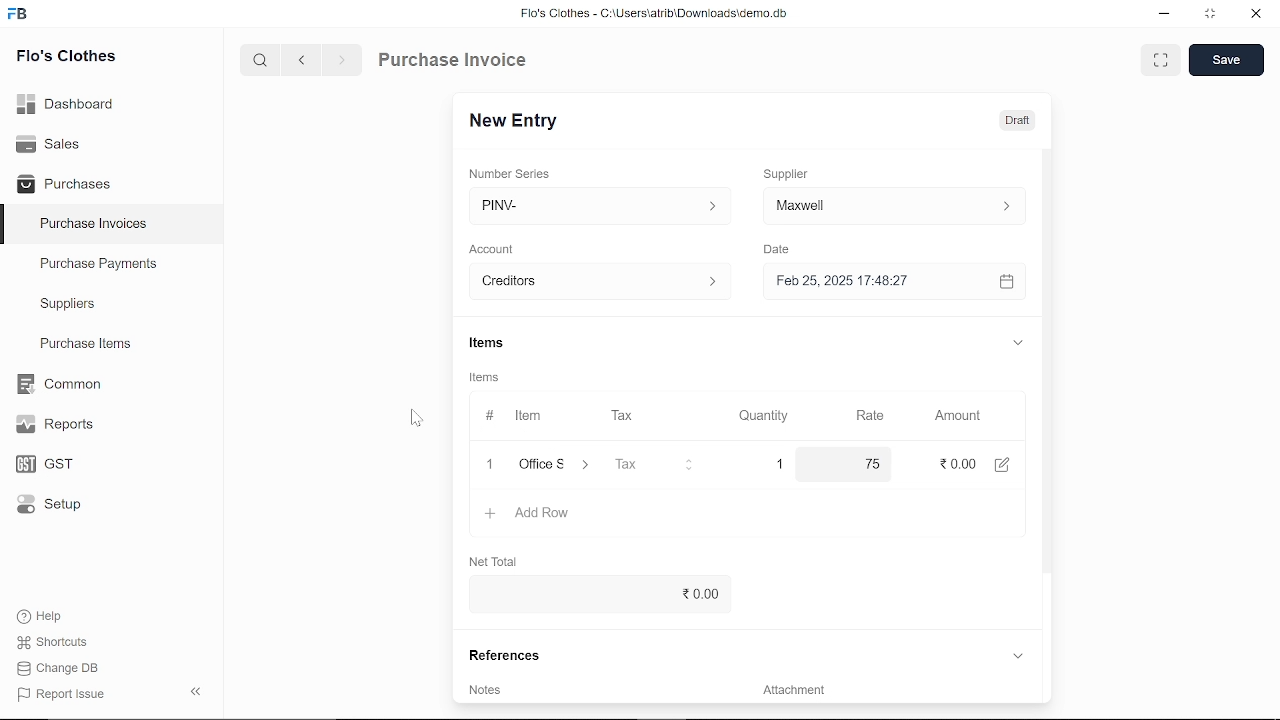 This screenshot has width=1280, height=720. Describe the element at coordinates (66, 57) in the screenshot. I see `Flo's Clothes` at that location.